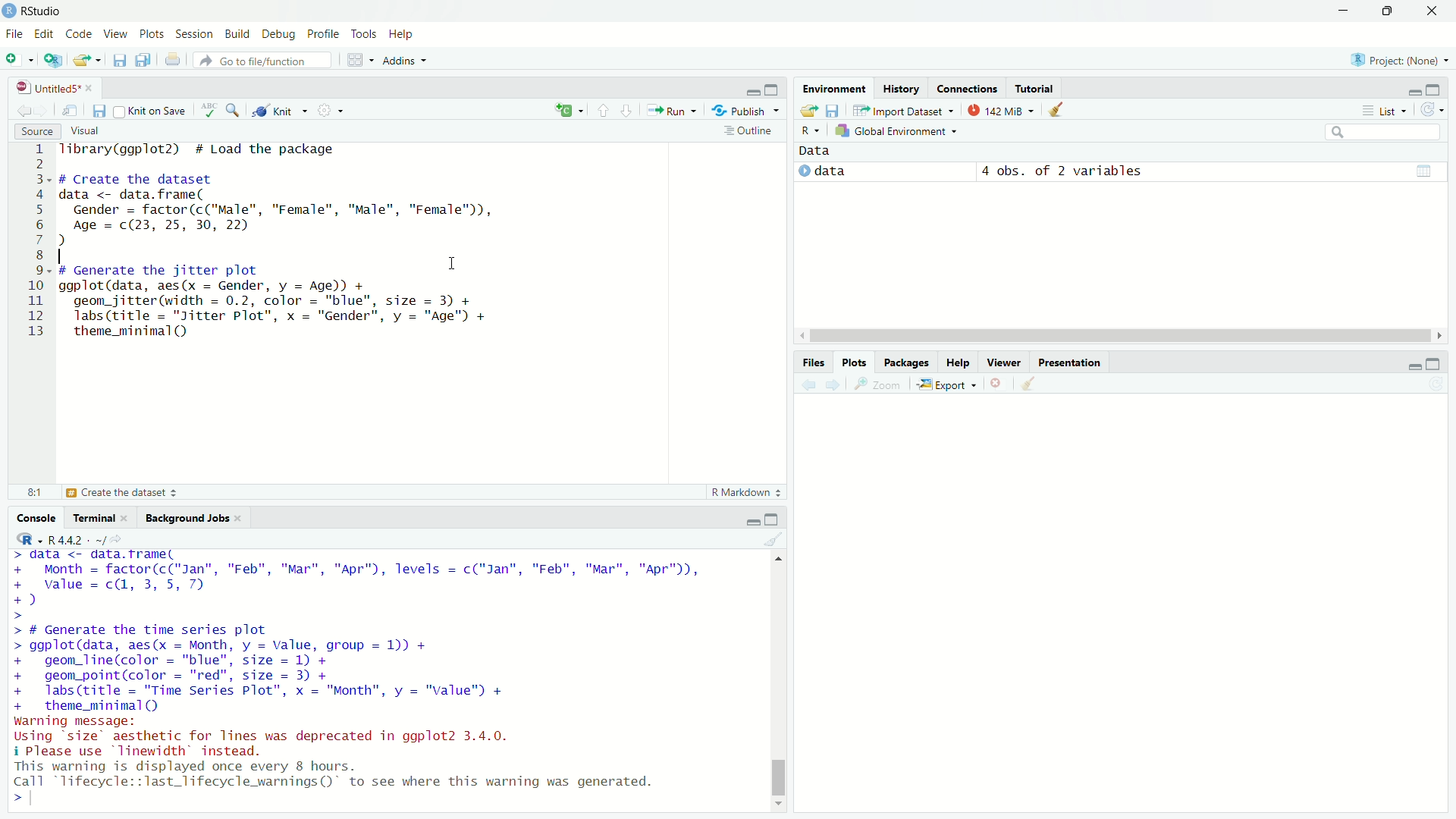 This screenshot has height=819, width=1456. Describe the element at coordinates (1004, 111) in the screenshot. I see `142 MiB` at that location.